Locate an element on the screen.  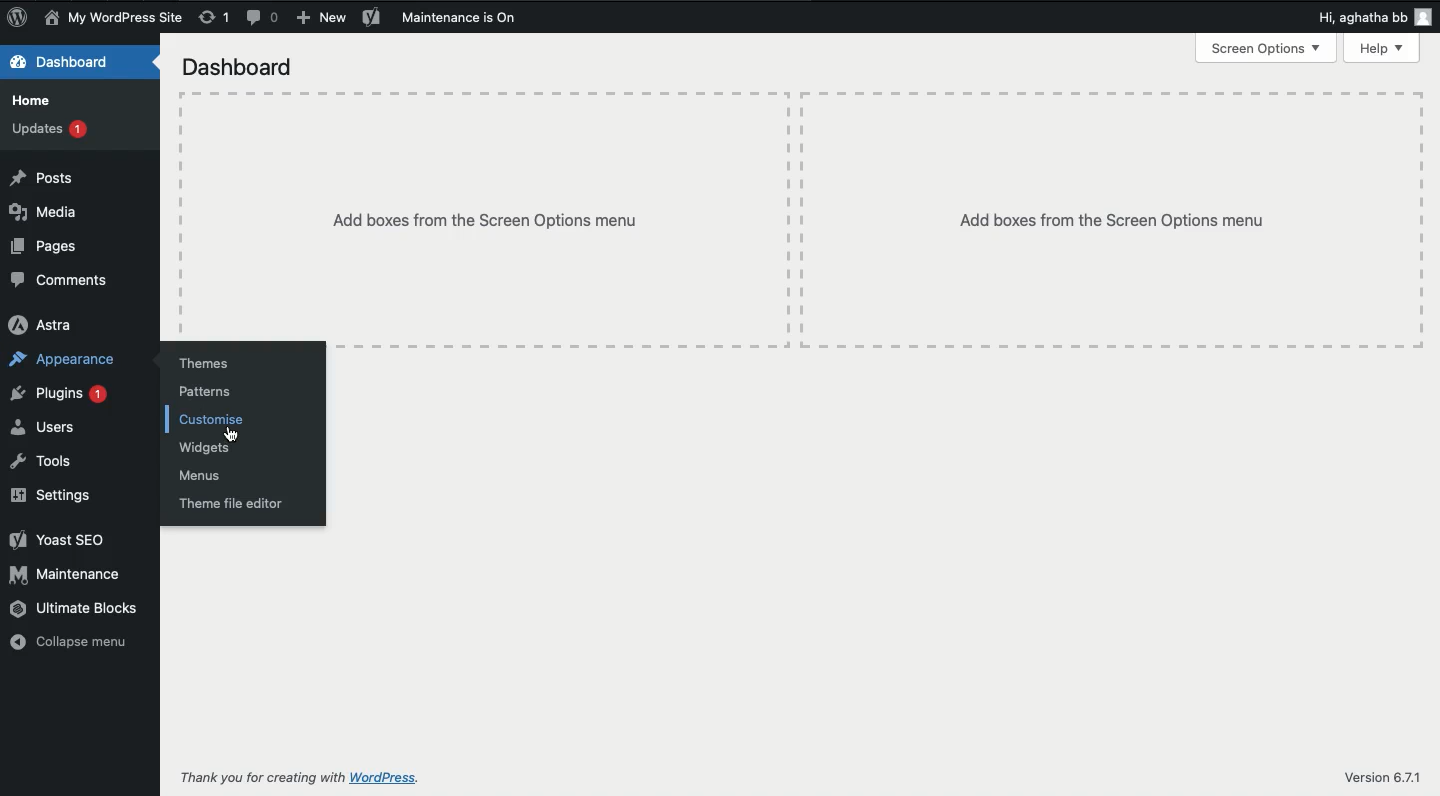
Logo is located at coordinates (17, 18).